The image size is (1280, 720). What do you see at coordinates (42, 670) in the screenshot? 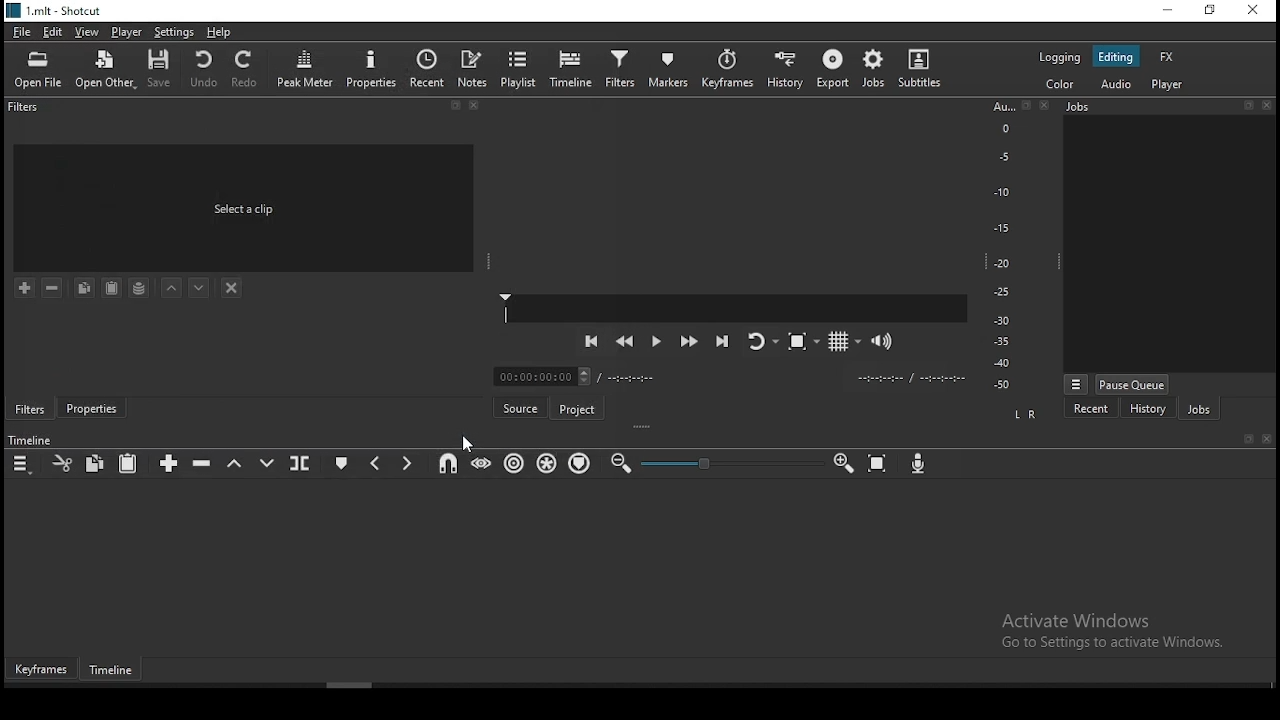
I see `keyframes` at bounding box center [42, 670].